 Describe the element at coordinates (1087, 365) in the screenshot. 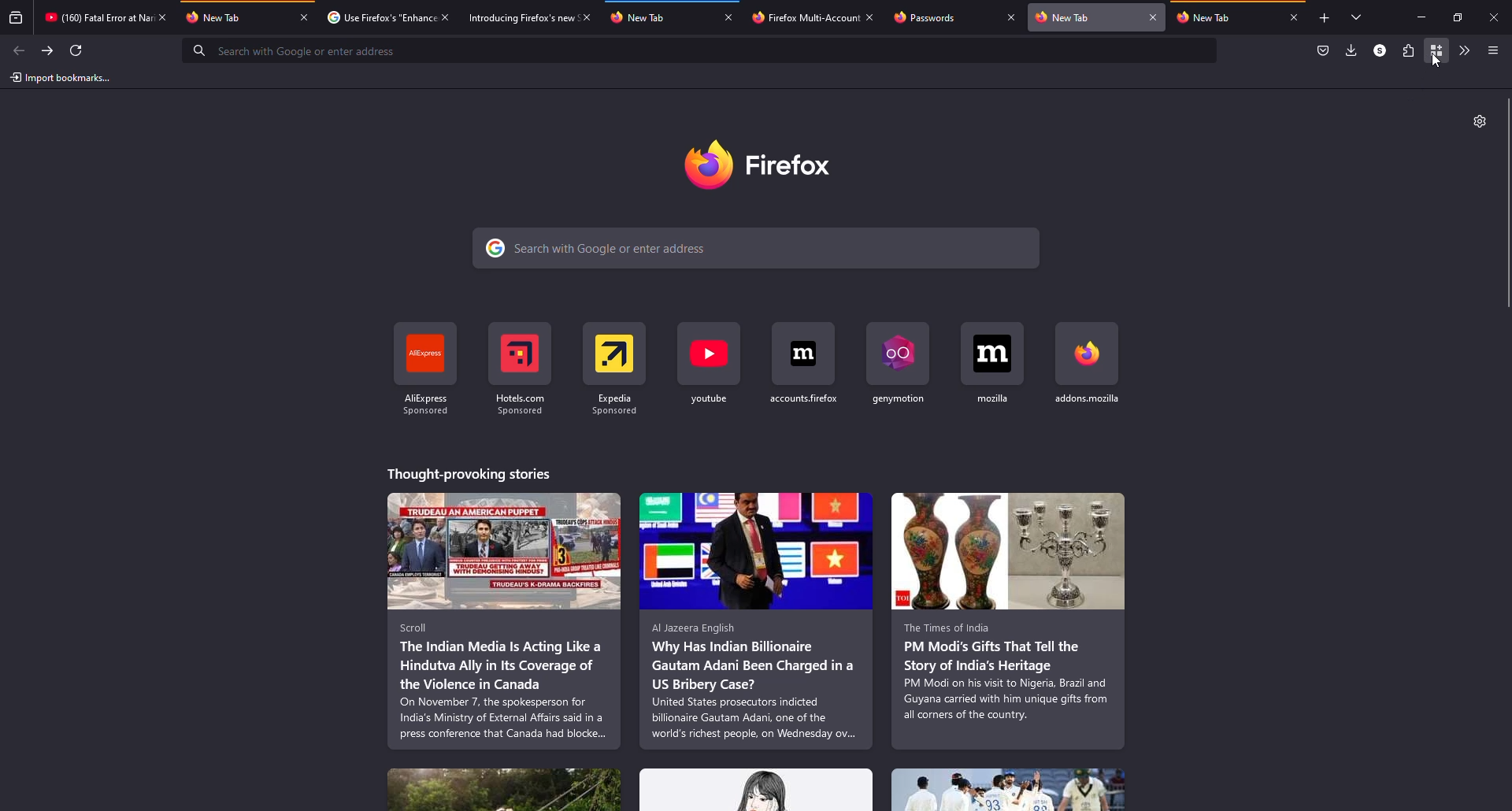

I see `shortcut` at that location.